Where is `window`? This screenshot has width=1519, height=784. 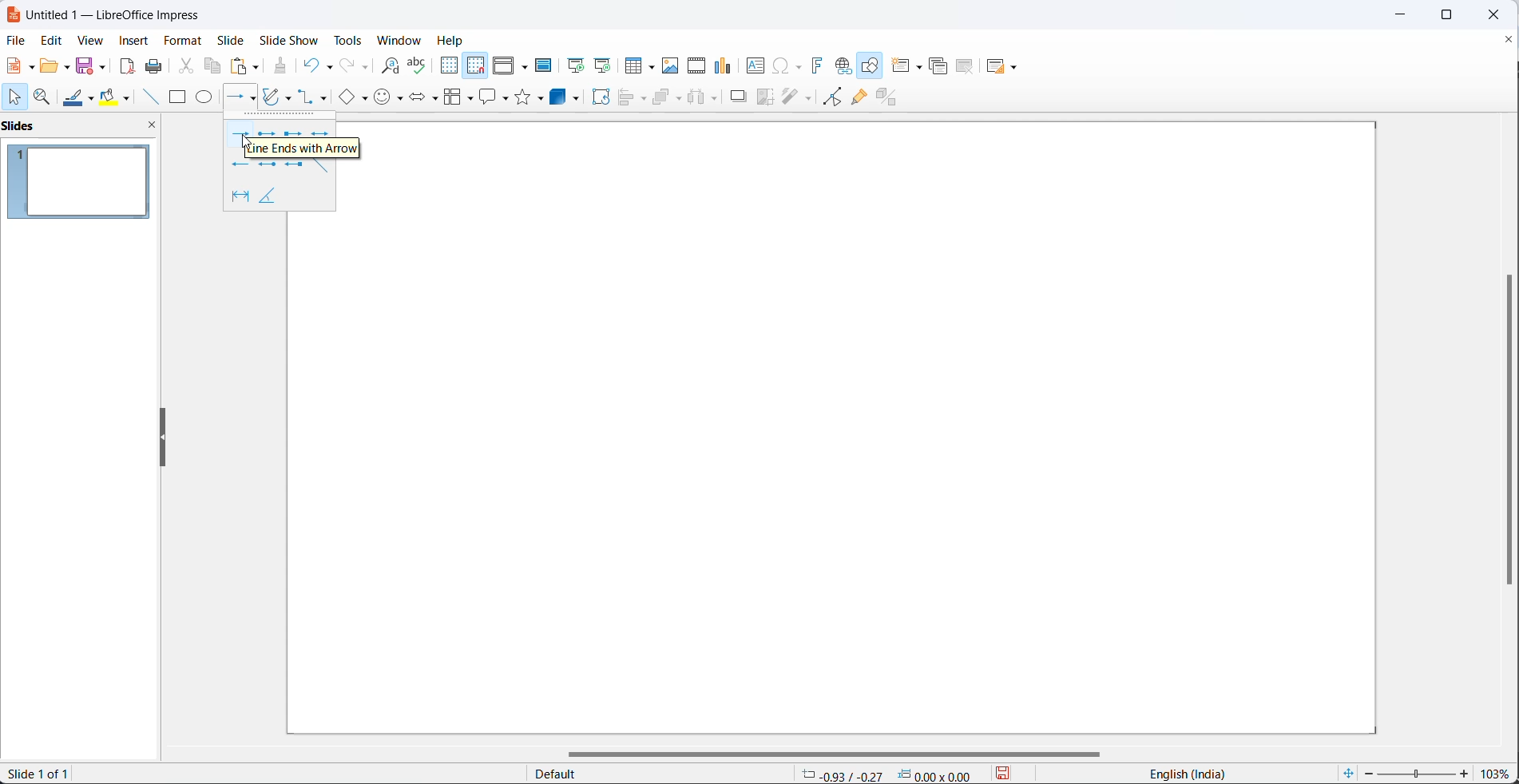 window is located at coordinates (399, 42).